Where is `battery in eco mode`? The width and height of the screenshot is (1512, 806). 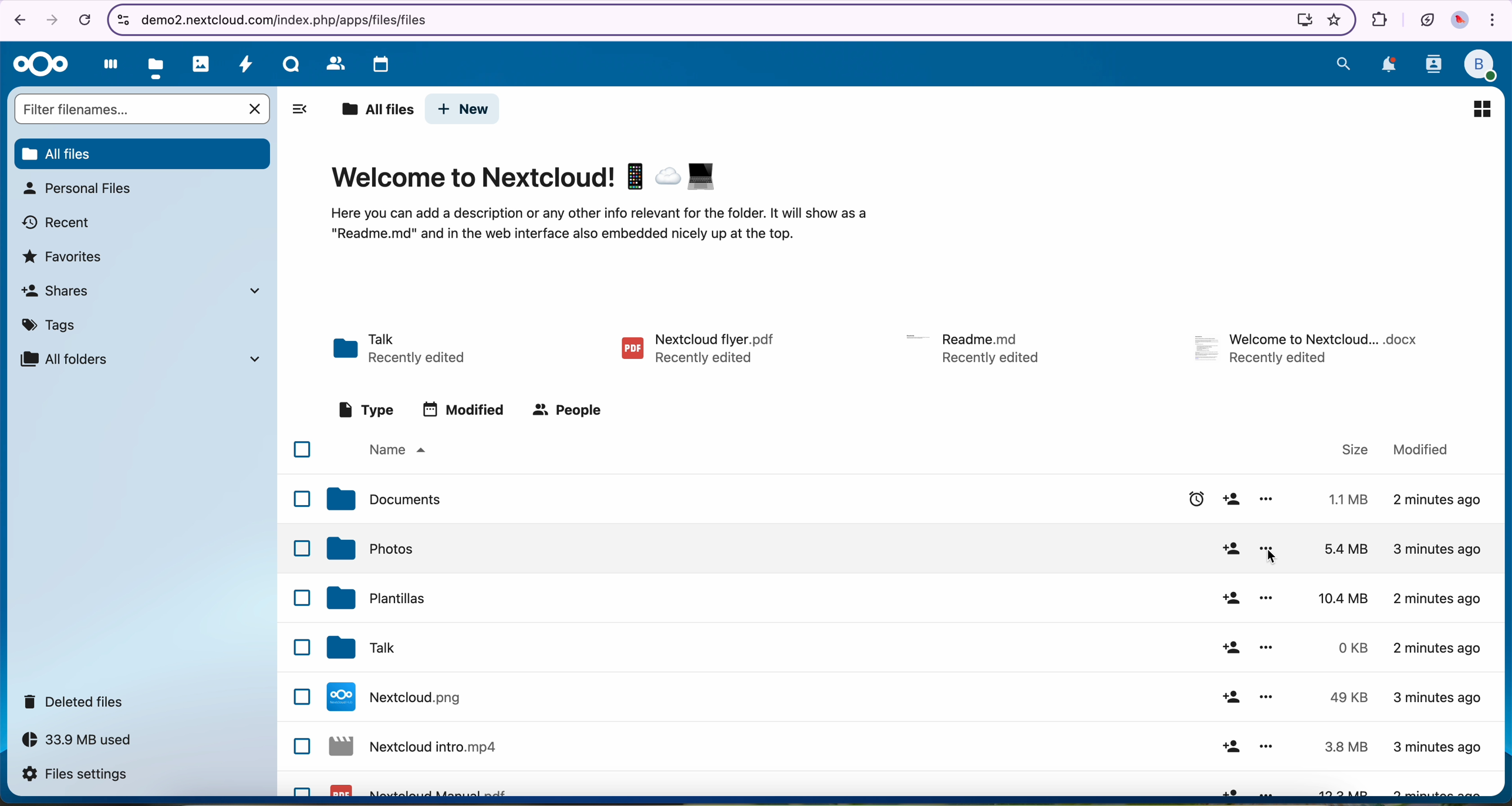 battery in eco mode is located at coordinates (1426, 18).